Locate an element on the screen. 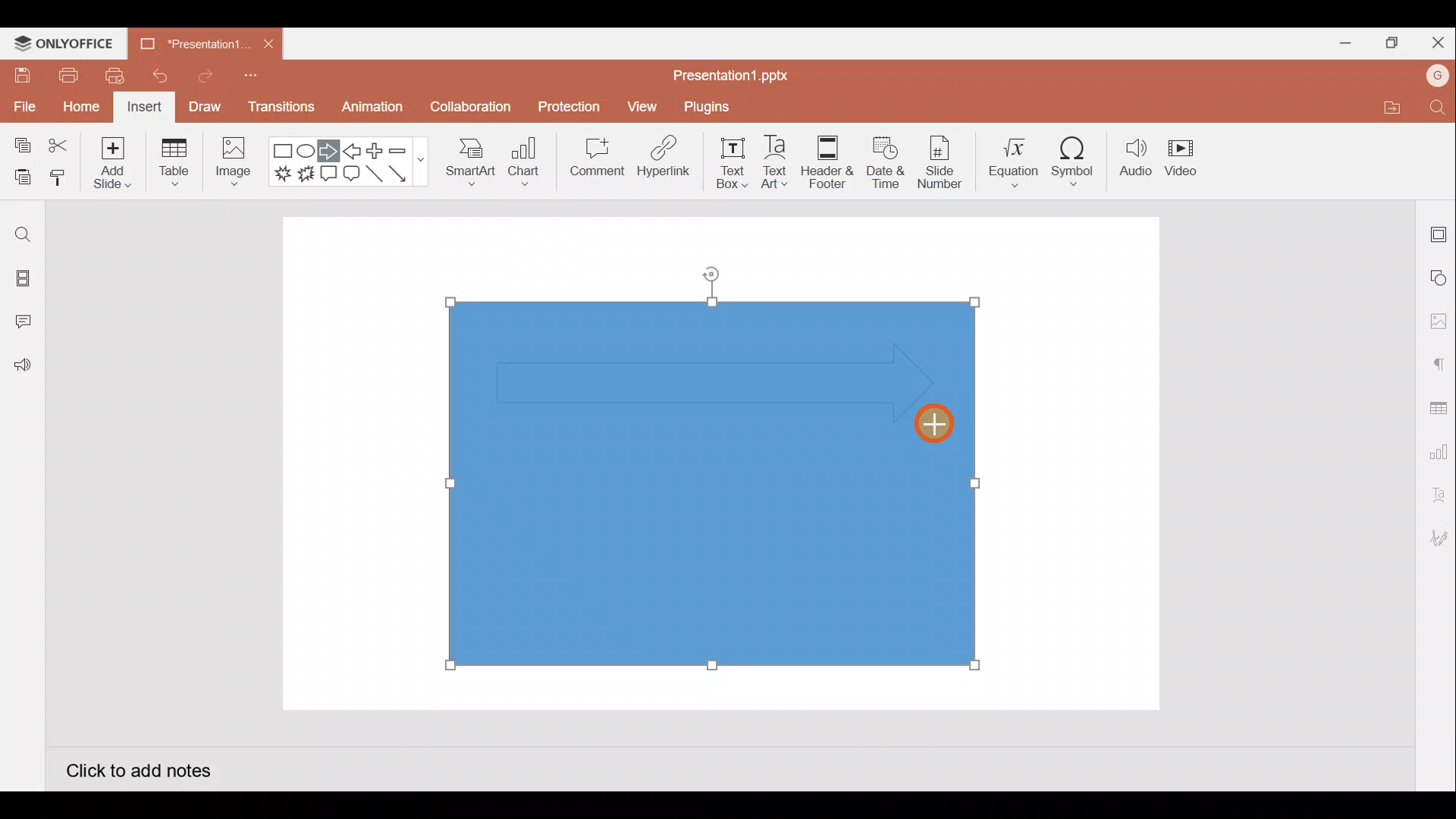  Animation is located at coordinates (374, 111).